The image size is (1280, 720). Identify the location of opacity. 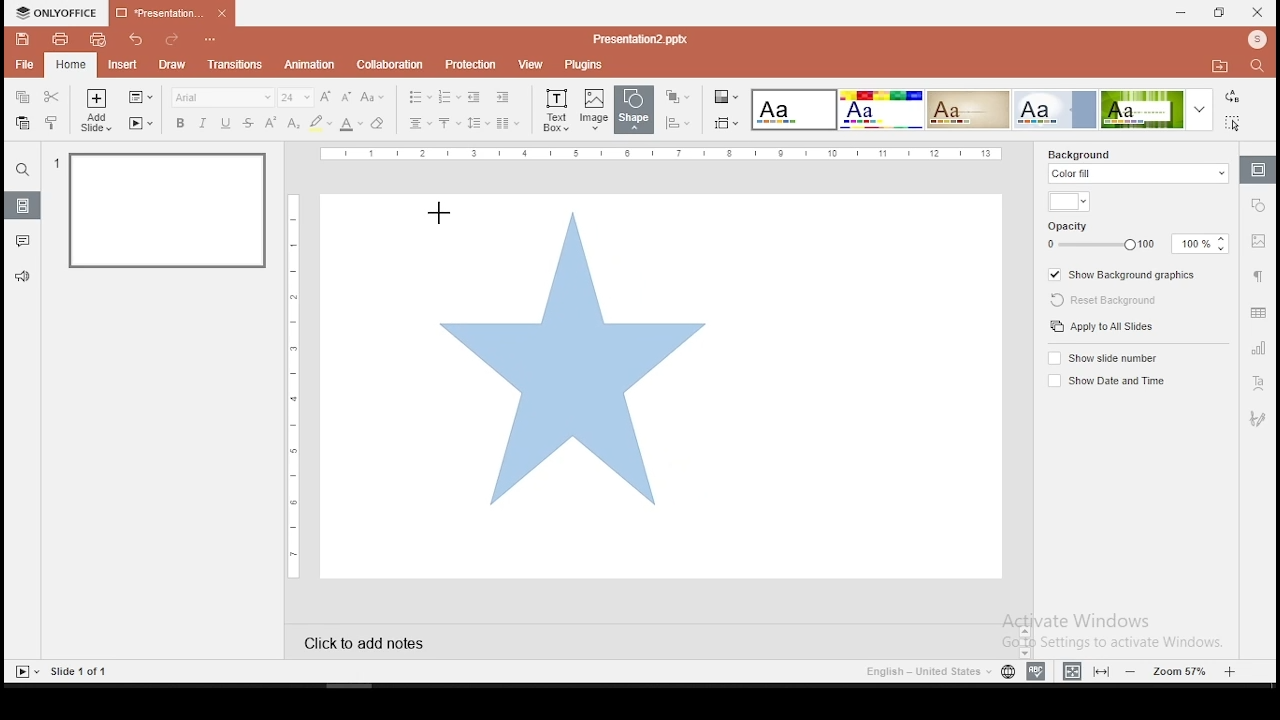
(1135, 236).